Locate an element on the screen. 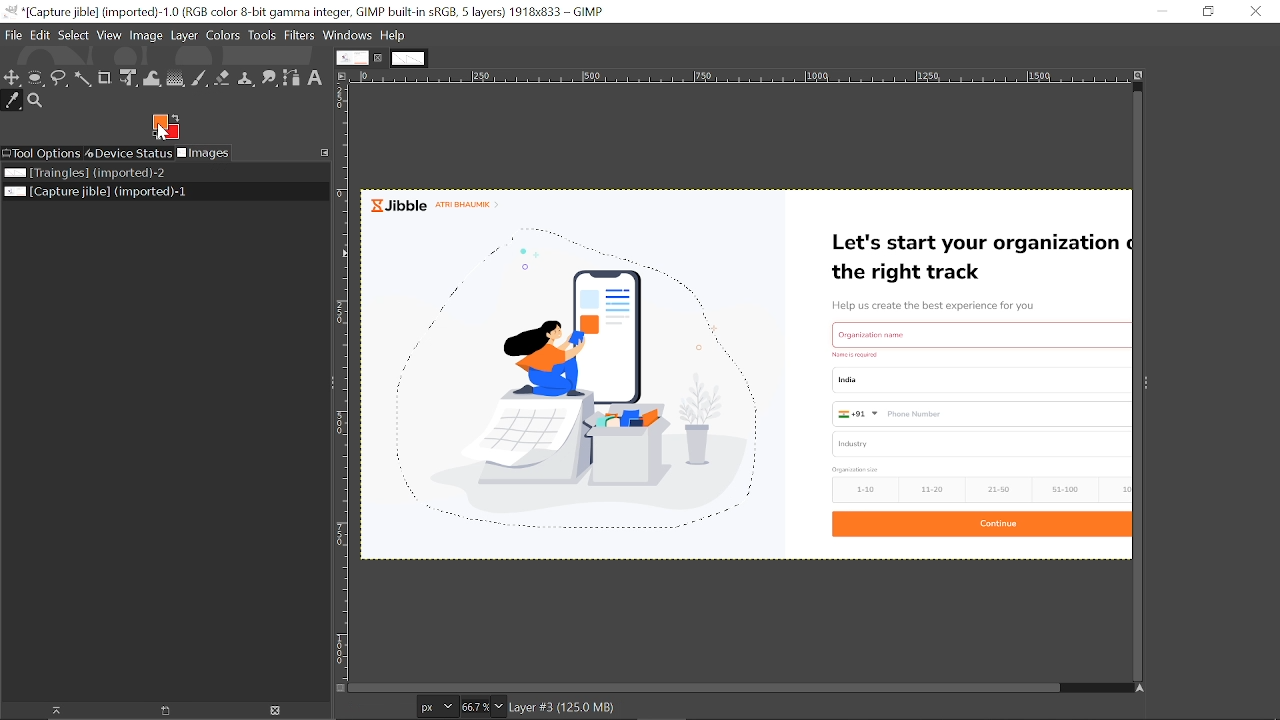  Paintbrush tool is located at coordinates (200, 79).